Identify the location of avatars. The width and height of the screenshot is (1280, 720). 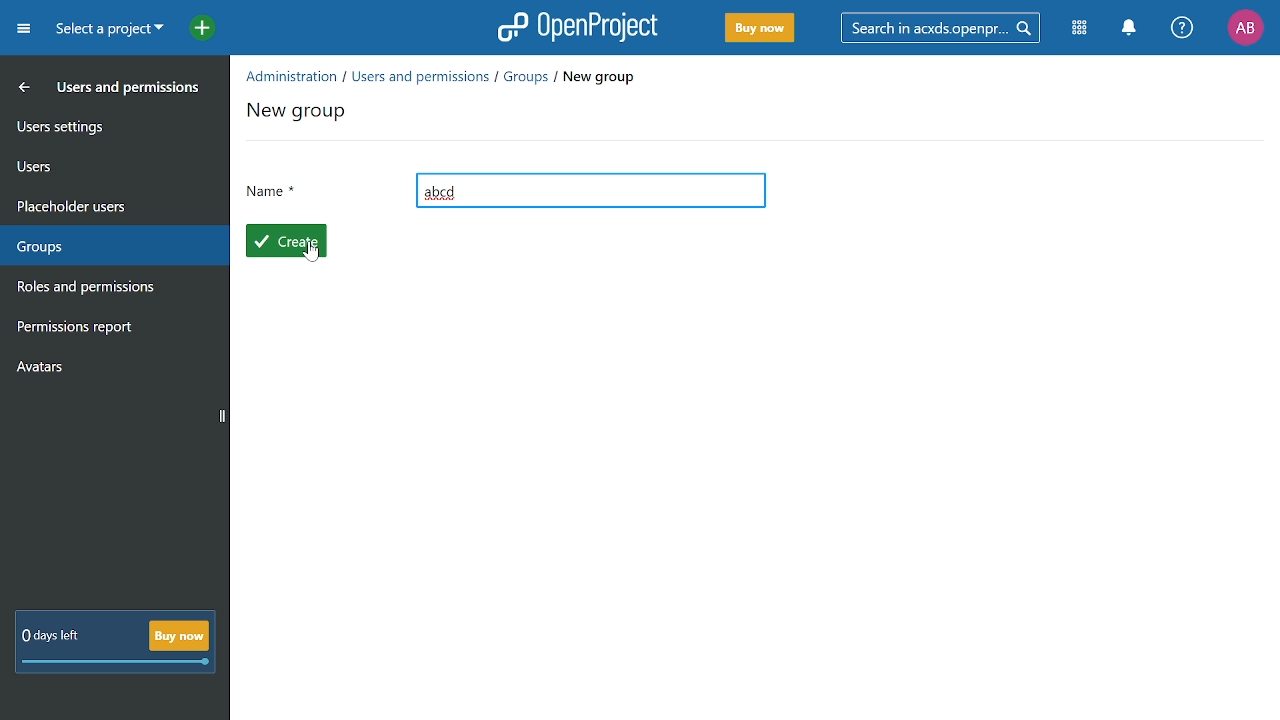
(104, 365).